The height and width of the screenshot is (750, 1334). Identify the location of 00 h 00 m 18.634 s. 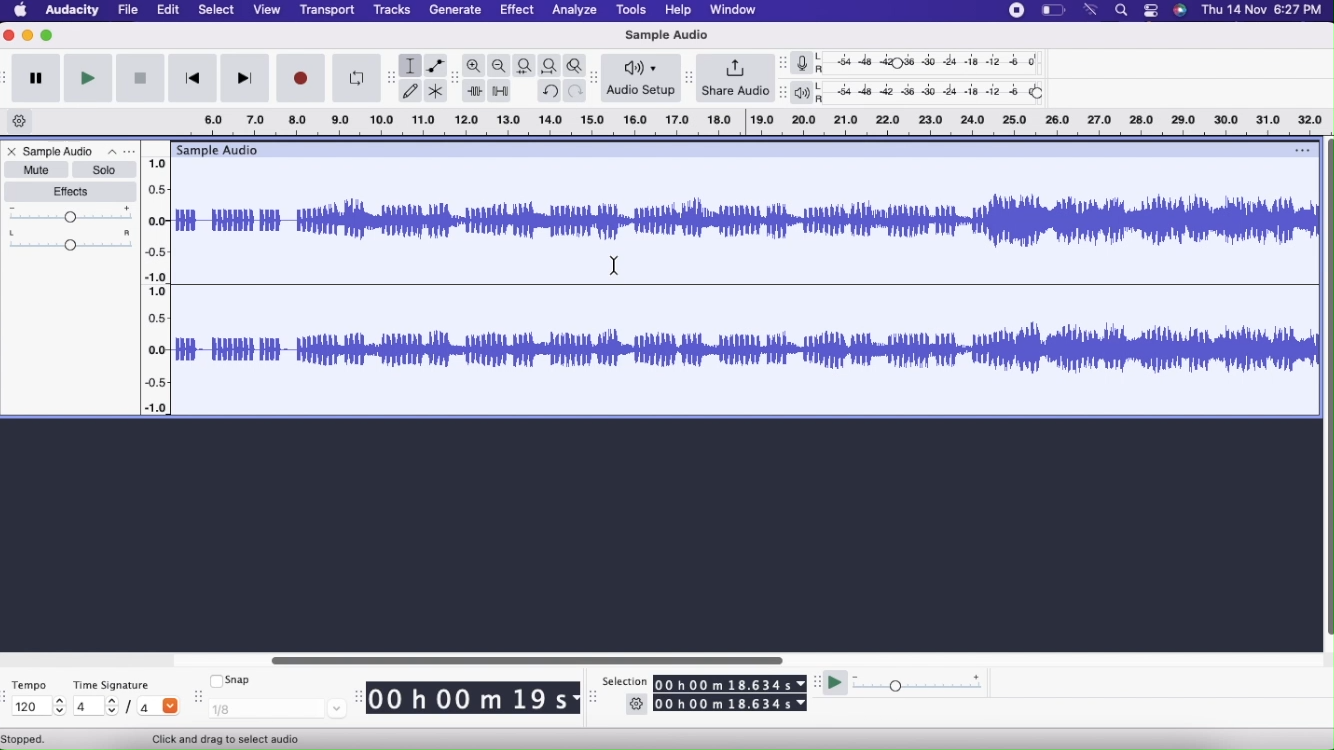
(732, 705).